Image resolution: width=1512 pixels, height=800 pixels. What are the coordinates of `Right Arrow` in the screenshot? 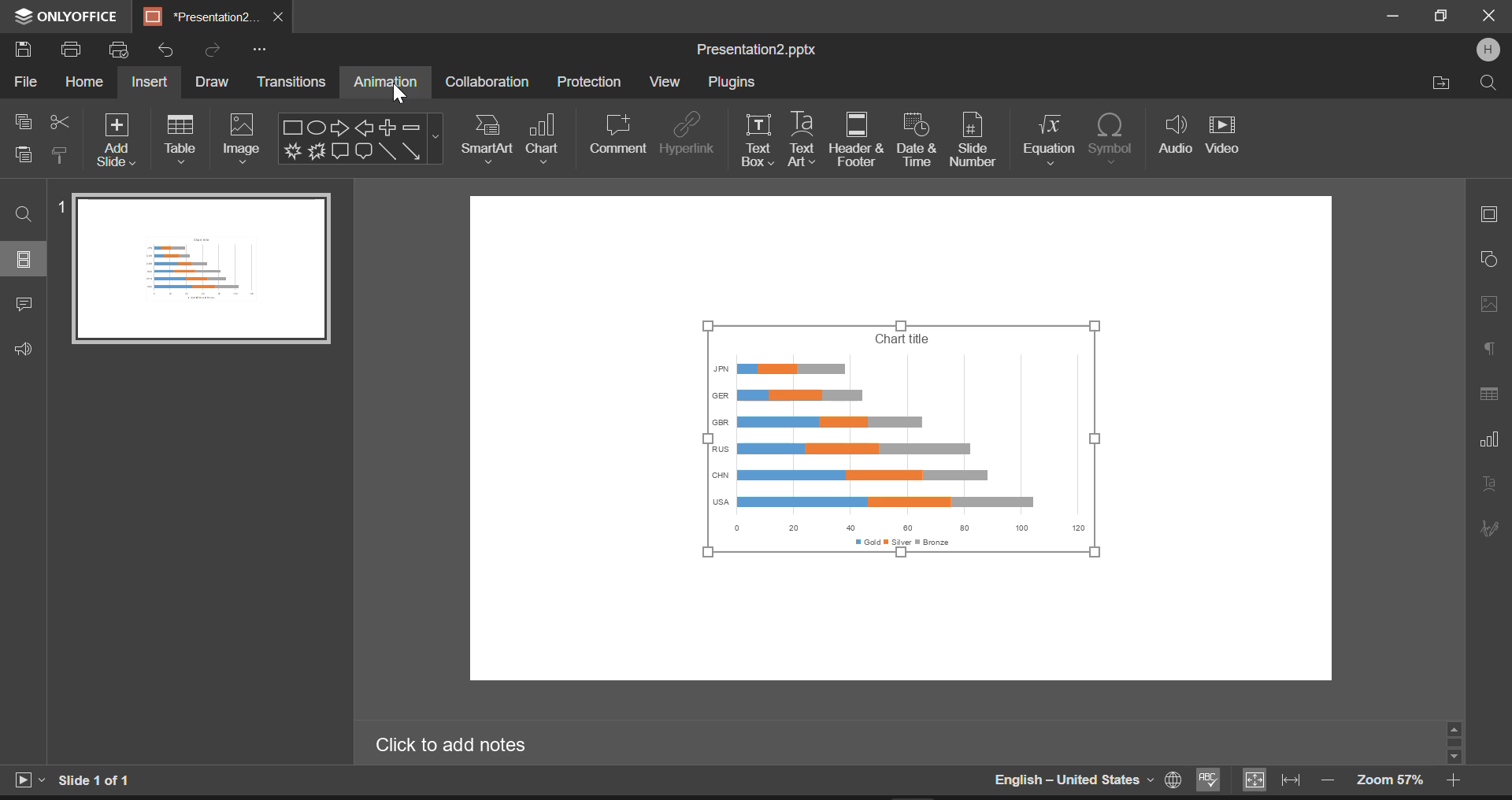 It's located at (340, 128).